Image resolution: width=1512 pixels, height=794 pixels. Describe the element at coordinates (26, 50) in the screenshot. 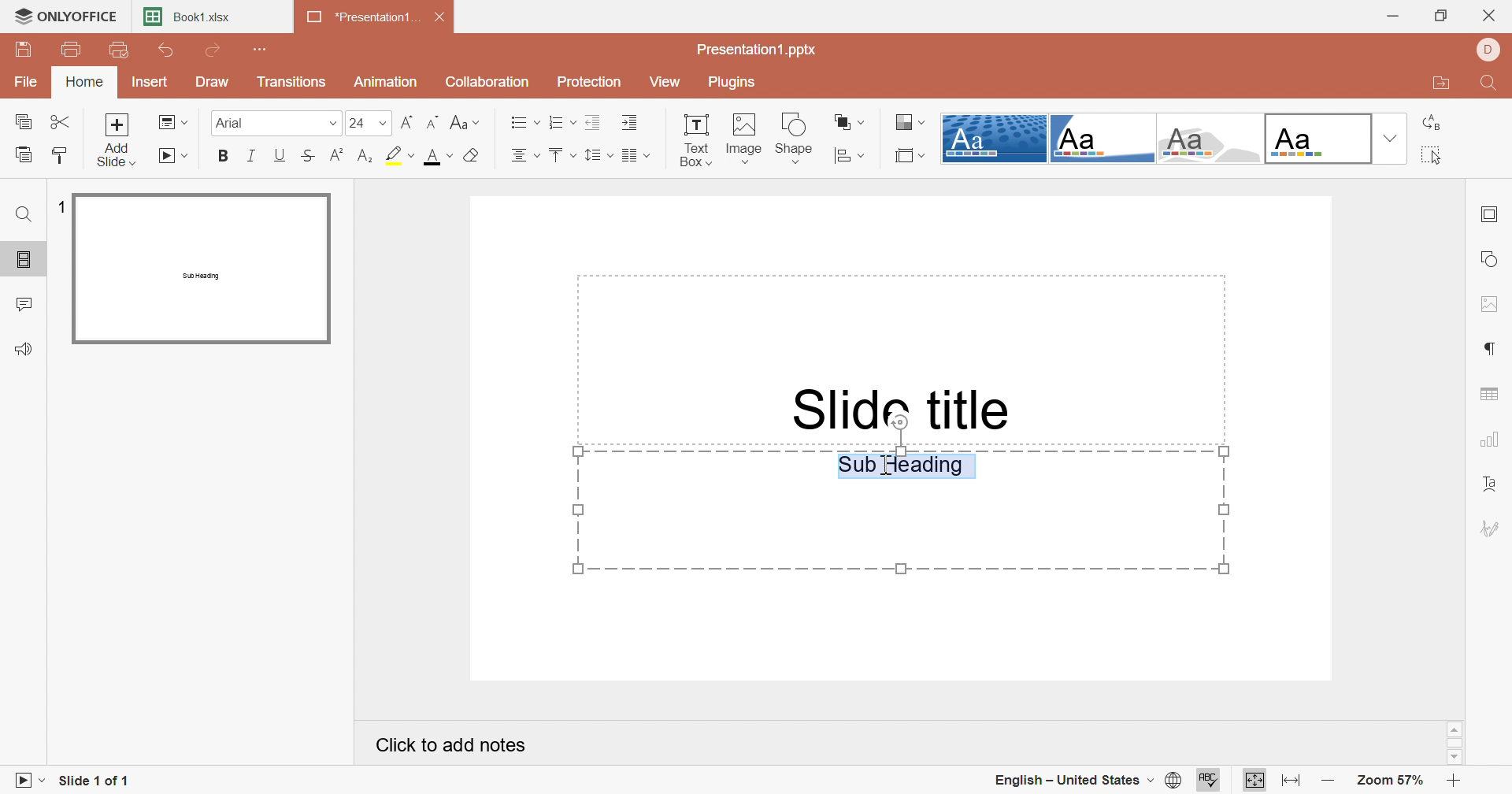

I see `Save` at that location.